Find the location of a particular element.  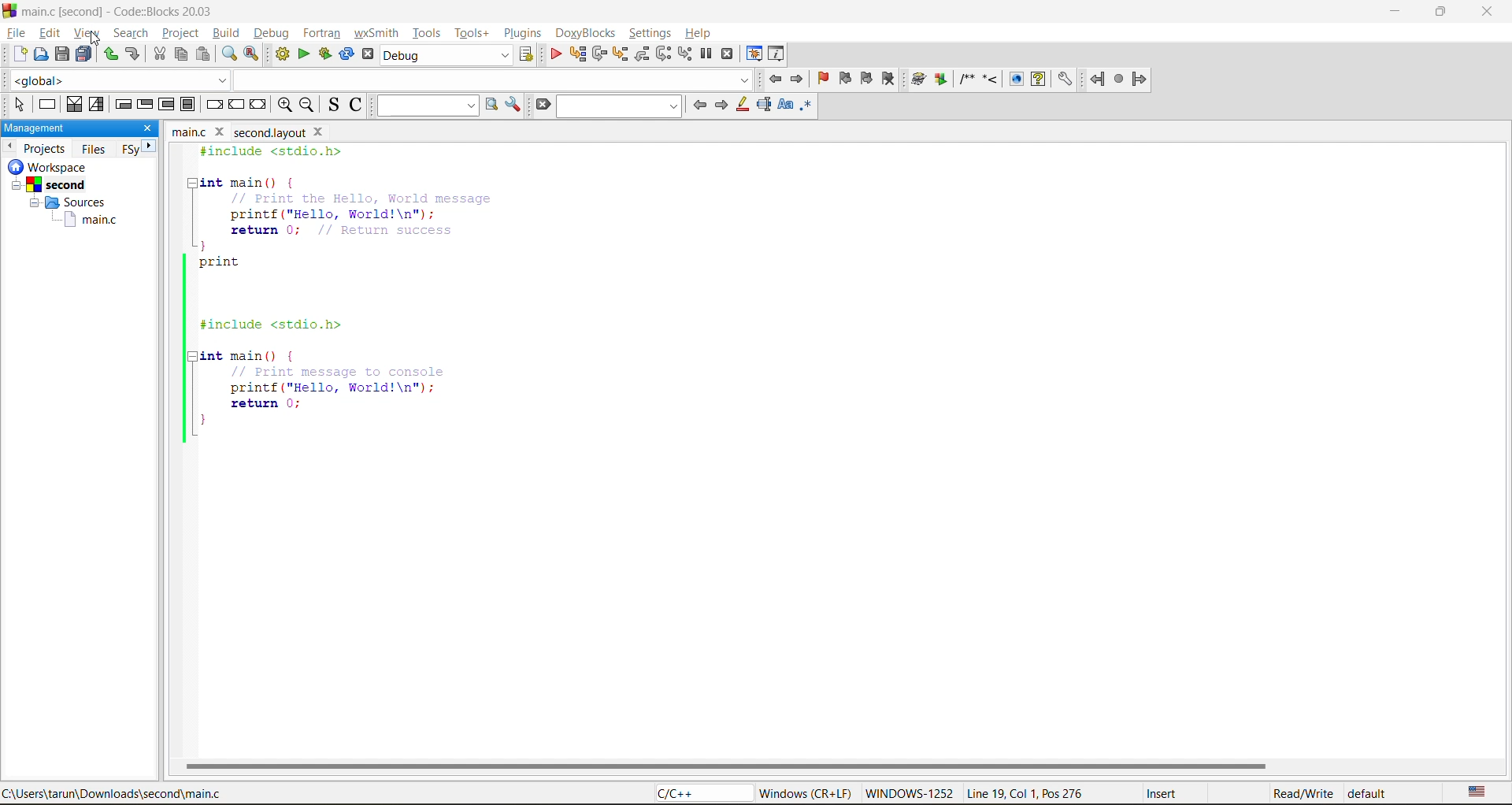

debug is located at coordinates (272, 32).